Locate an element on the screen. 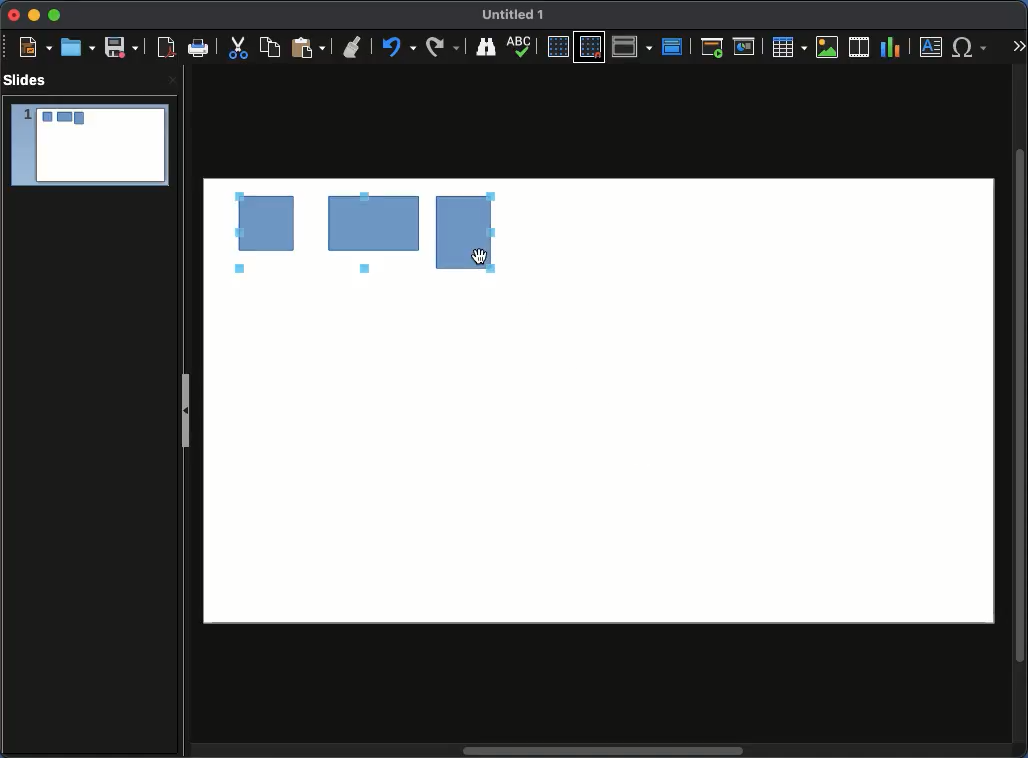 Image resolution: width=1028 pixels, height=758 pixels. Maximize is located at coordinates (56, 15).